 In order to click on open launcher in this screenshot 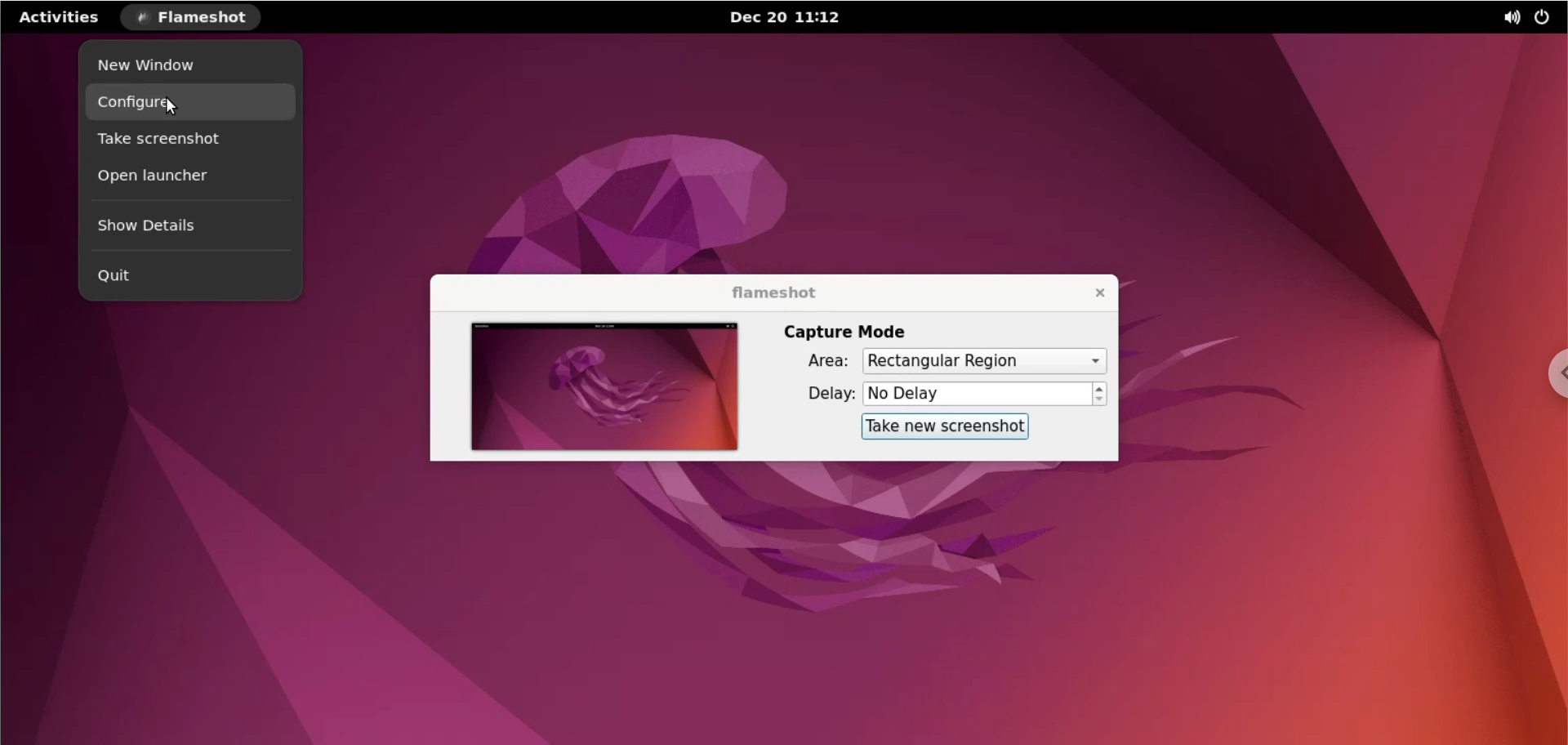, I will do `click(185, 181)`.